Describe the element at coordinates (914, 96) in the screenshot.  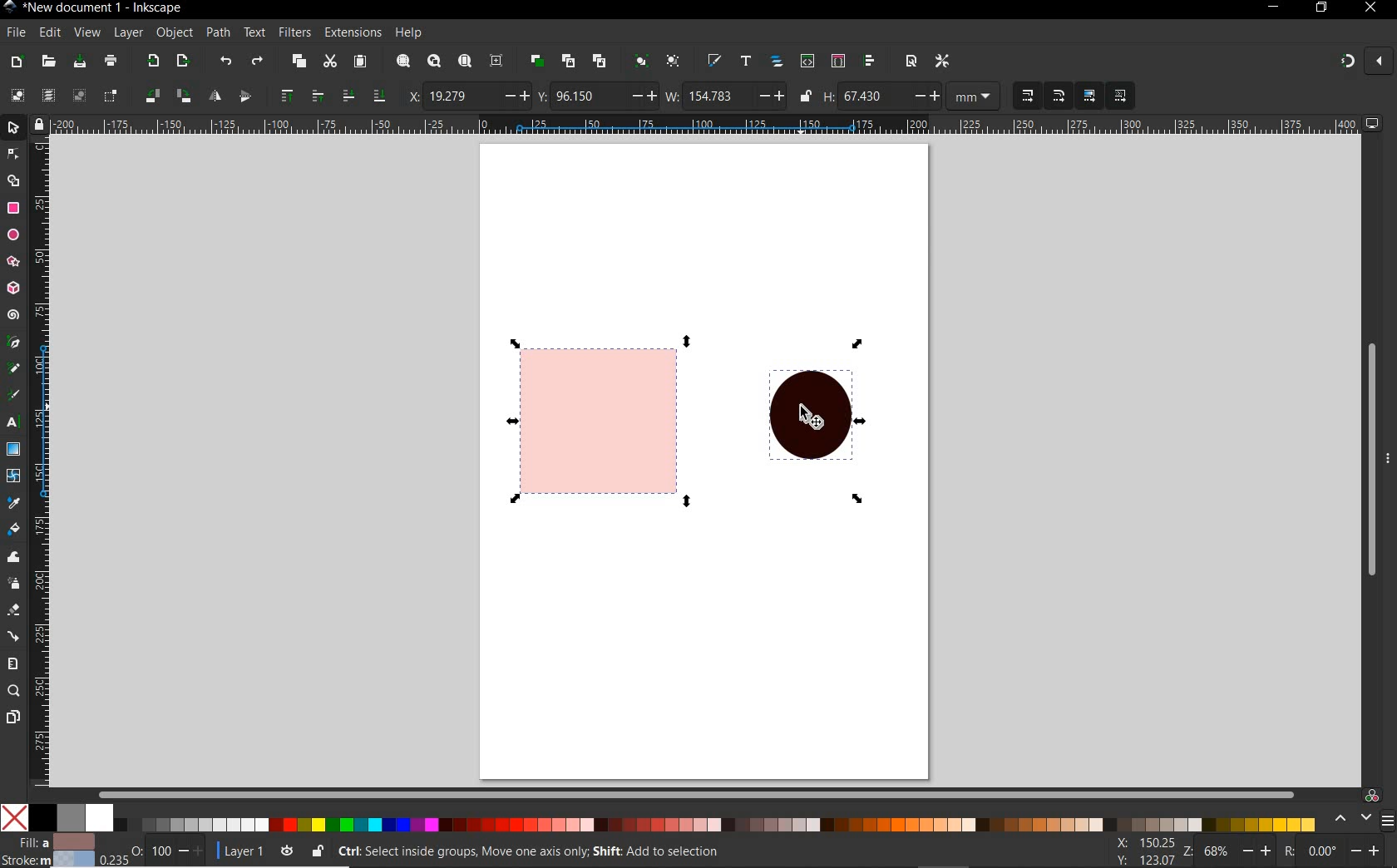
I see `height of selection` at that location.